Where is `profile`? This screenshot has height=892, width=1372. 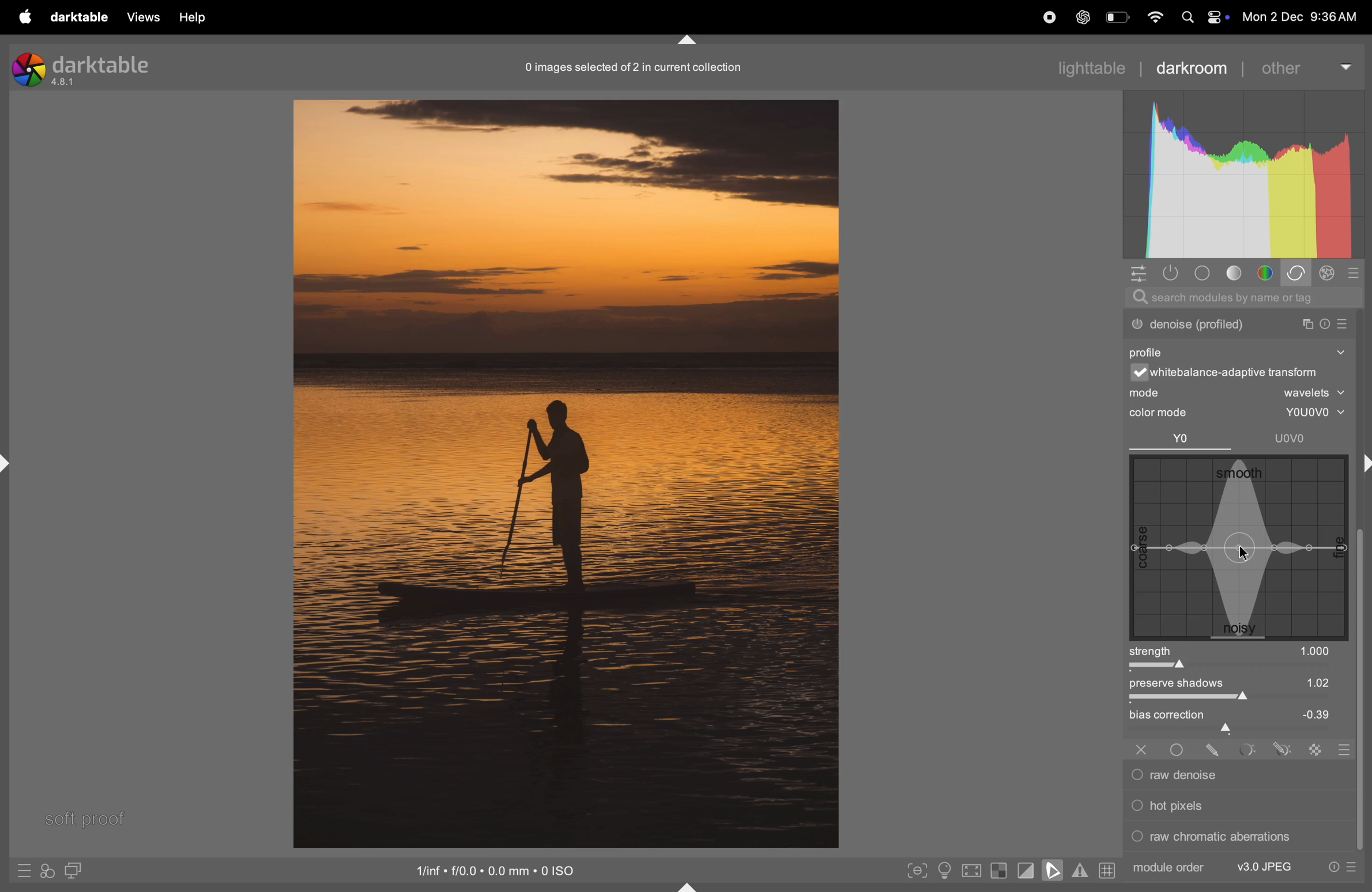 profile is located at coordinates (1152, 350).